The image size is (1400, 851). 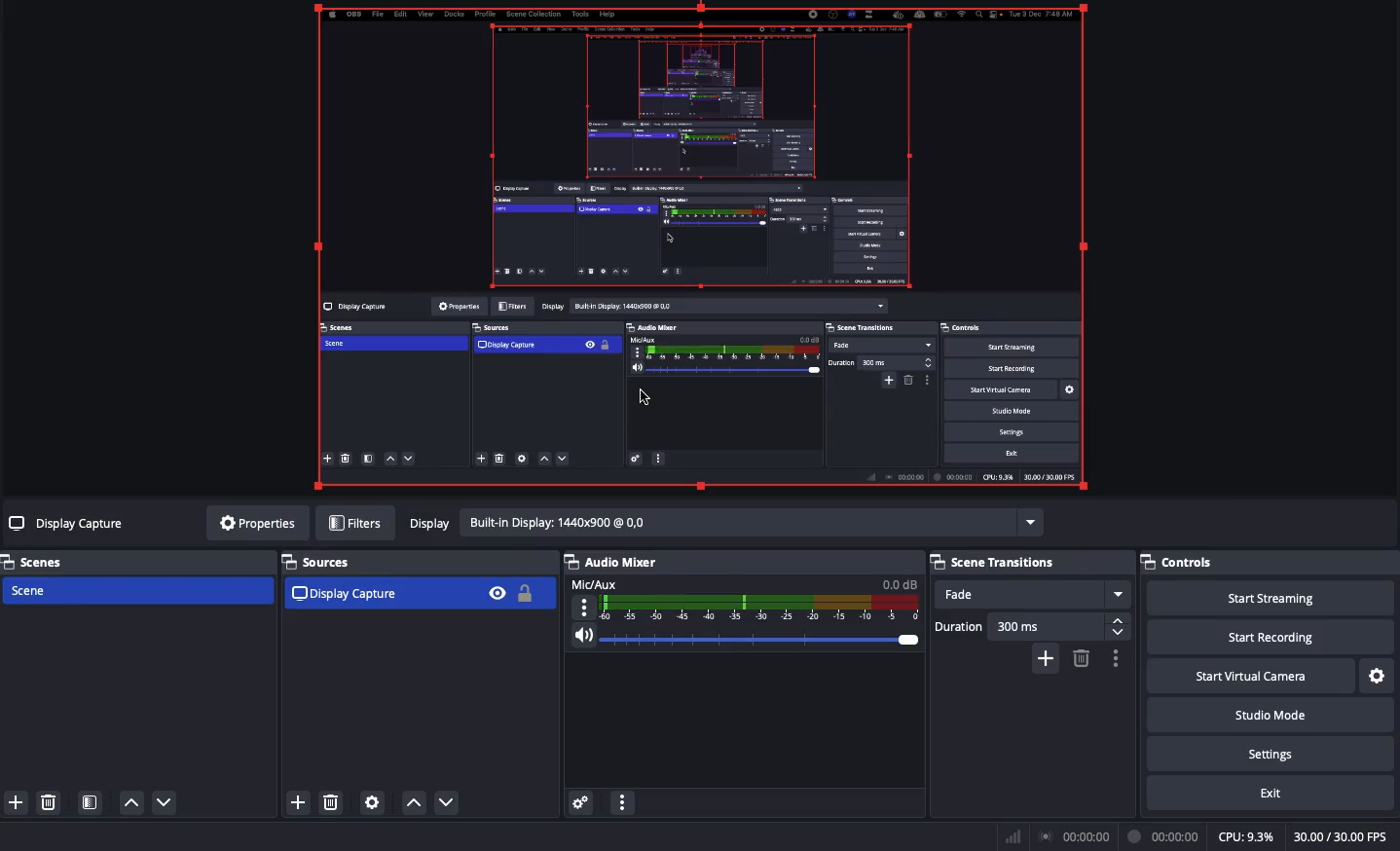 I want to click on add, so click(x=1048, y=663).